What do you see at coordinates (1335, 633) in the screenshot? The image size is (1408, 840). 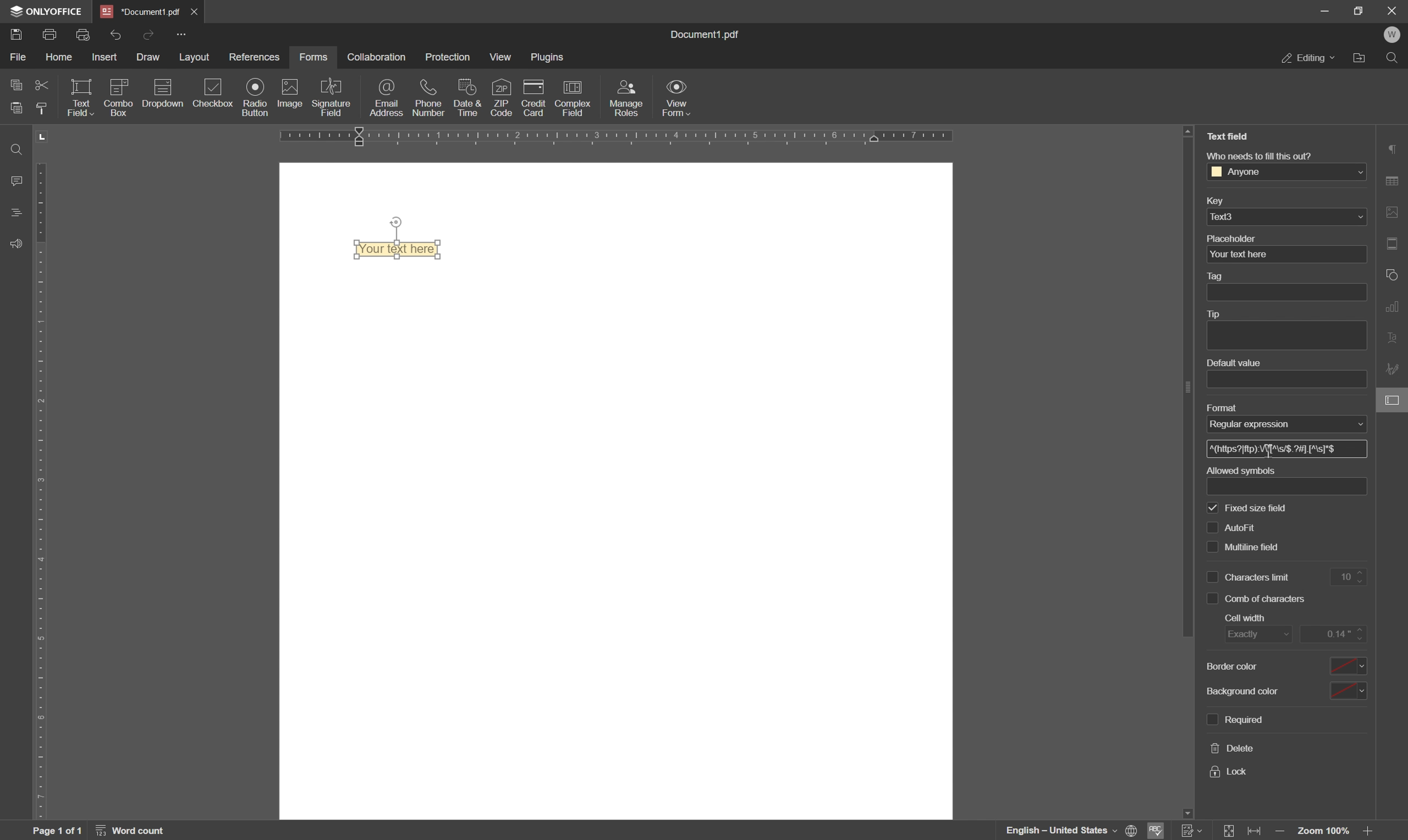 I see `0.14` at bounding box center [1335, 633].